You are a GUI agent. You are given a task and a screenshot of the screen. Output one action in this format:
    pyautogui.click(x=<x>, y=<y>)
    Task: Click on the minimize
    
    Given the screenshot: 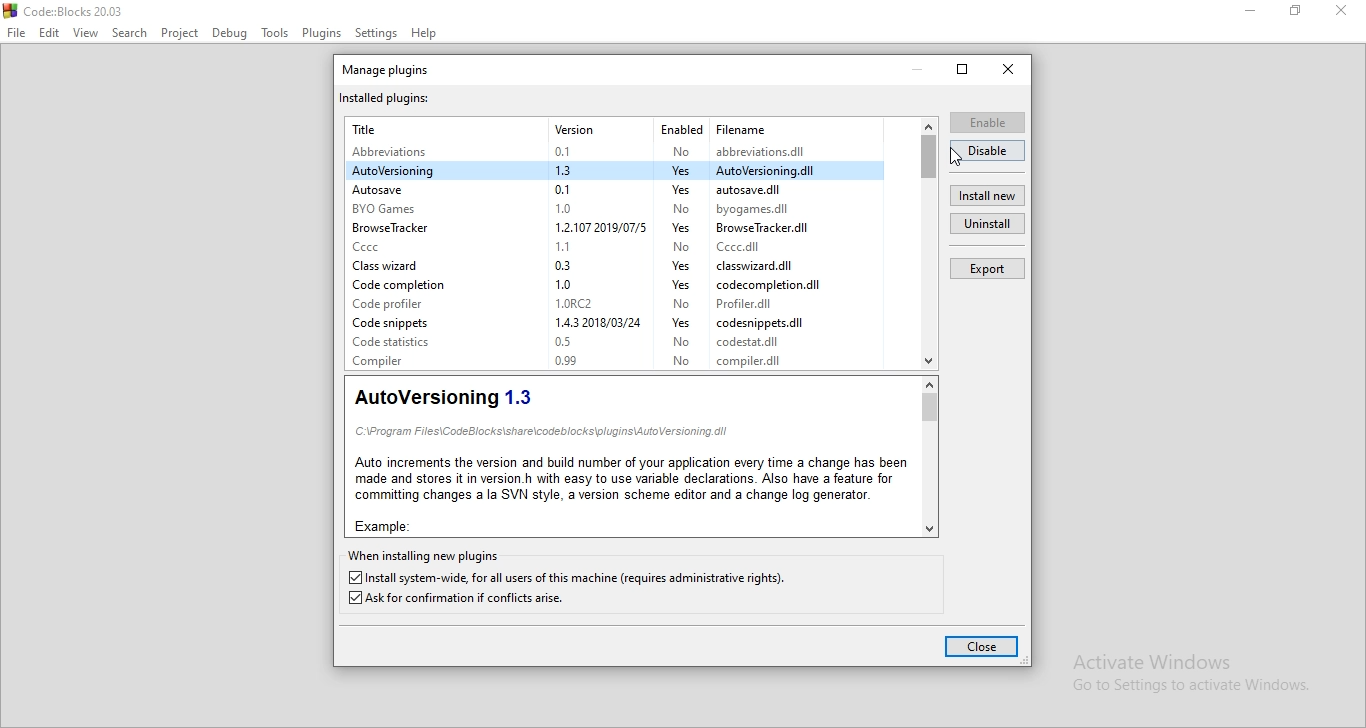 What is the action you would take?
    pyautogui.click(x=918, y=69)
    